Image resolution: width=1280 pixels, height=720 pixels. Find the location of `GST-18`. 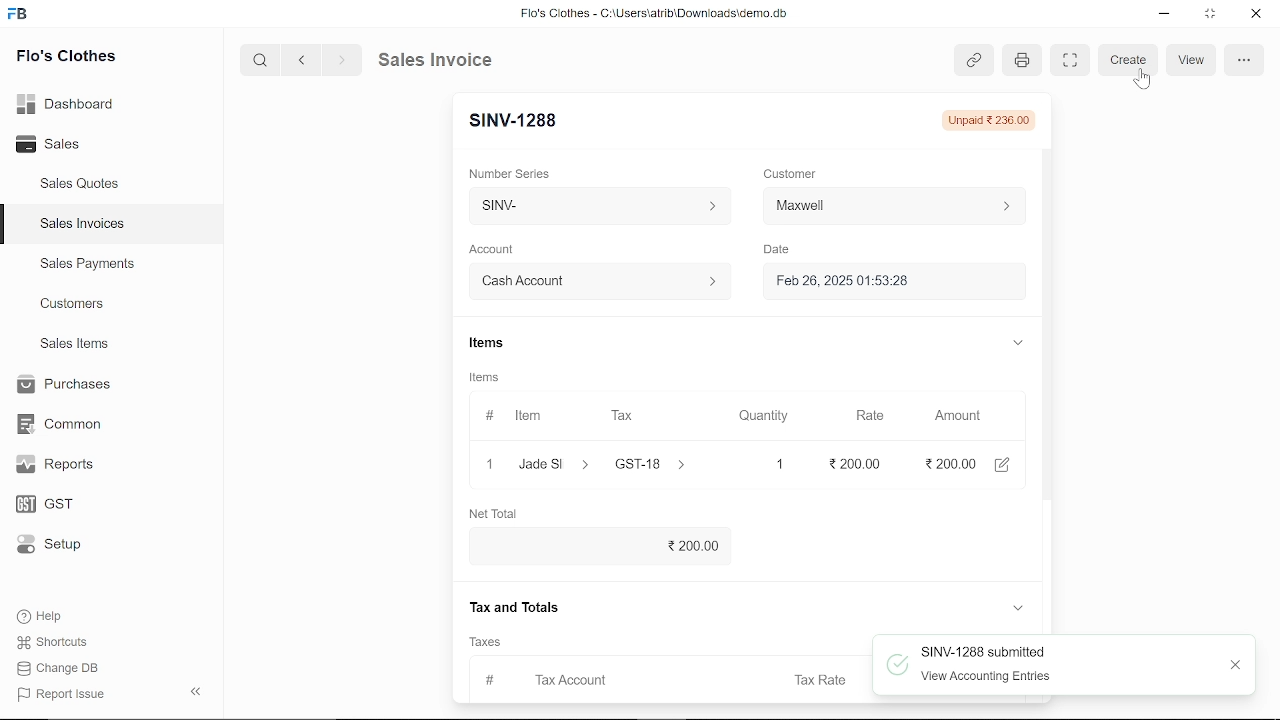

GST-18 is located at coordinates (662, 464).